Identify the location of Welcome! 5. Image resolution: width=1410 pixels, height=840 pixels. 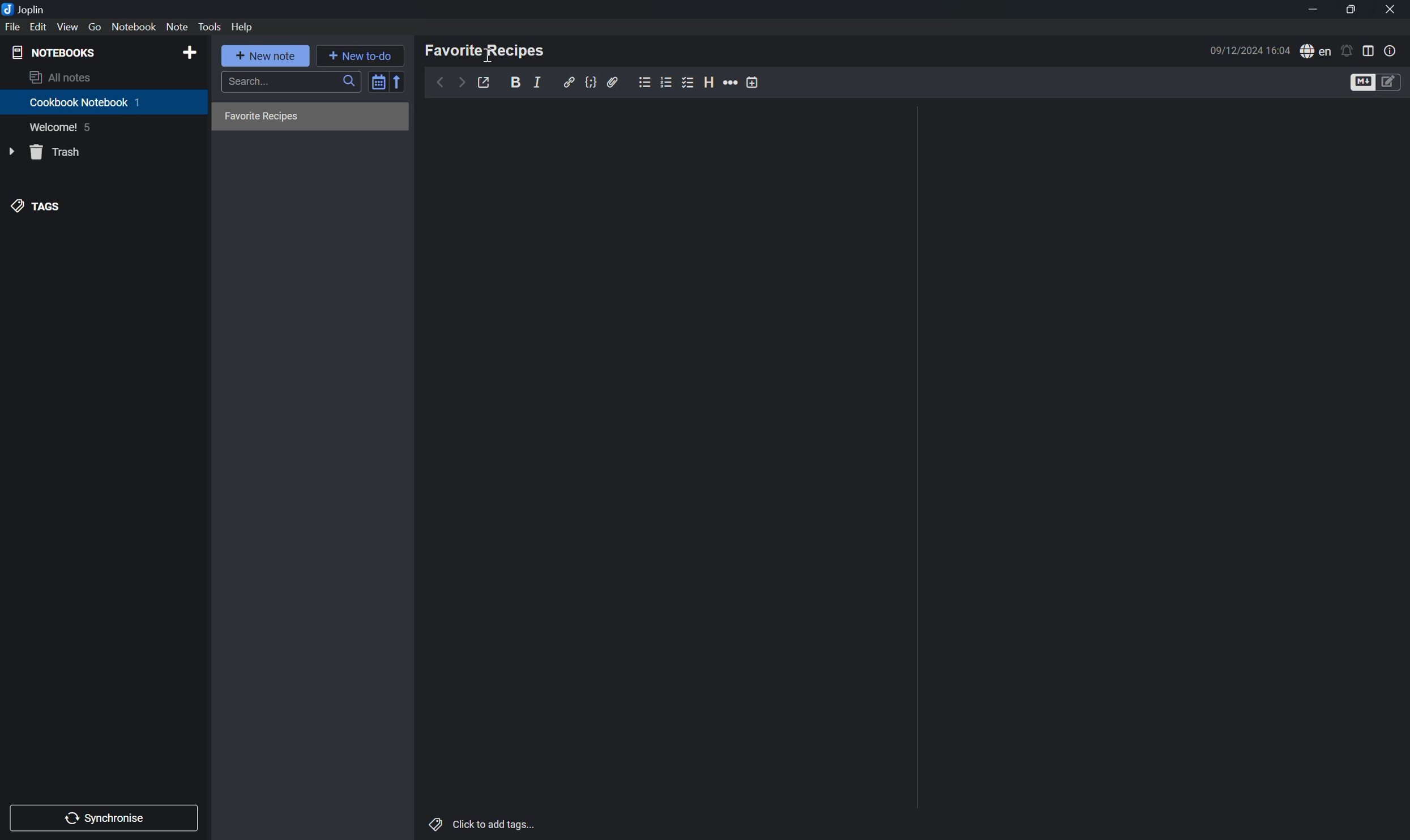
(63, 129).